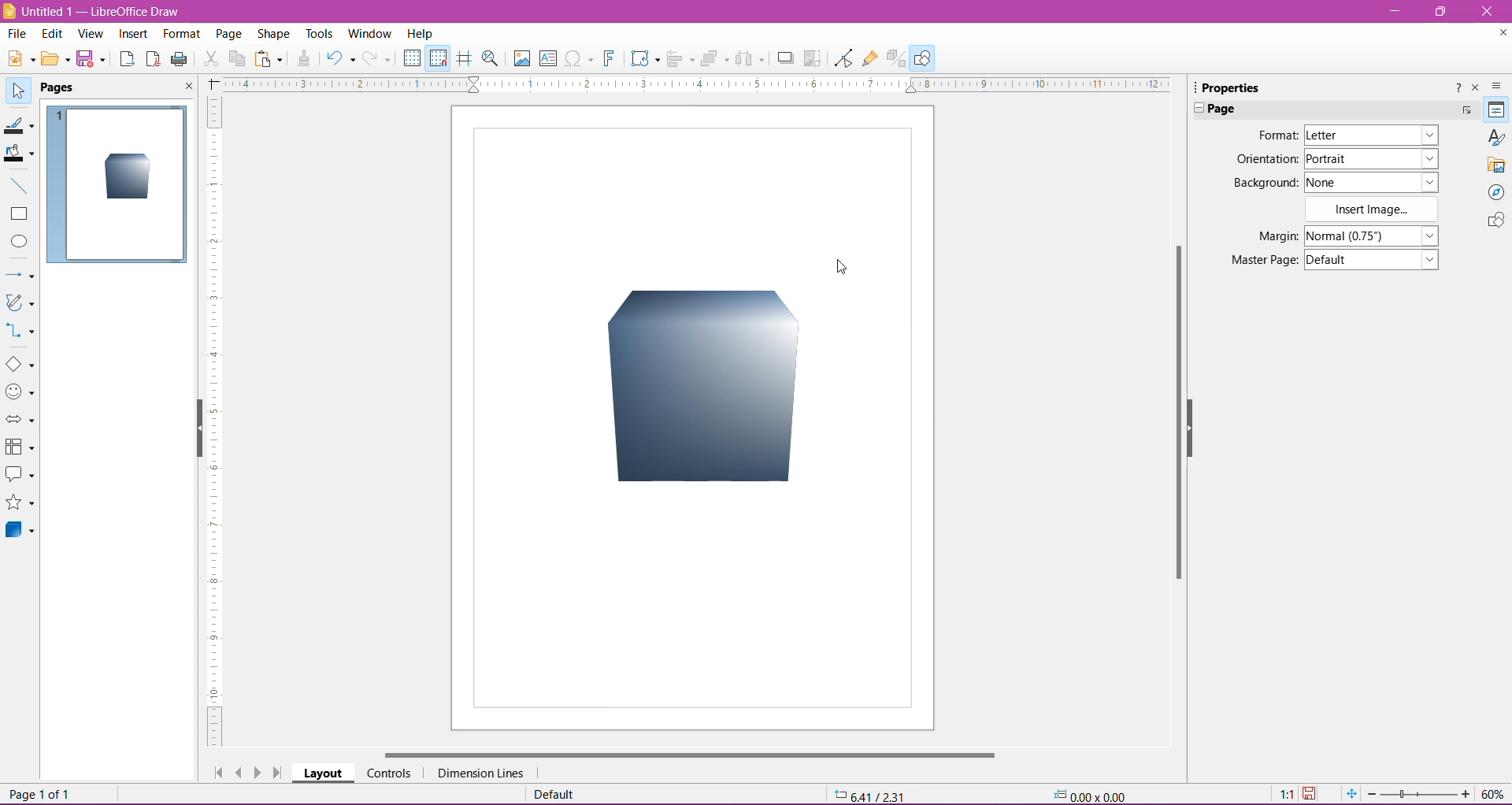 The height and width of the screenshot is (805, 1512). Describe the element at coordinates (270, 60) in the screenshot. I see `Paste` at that location.